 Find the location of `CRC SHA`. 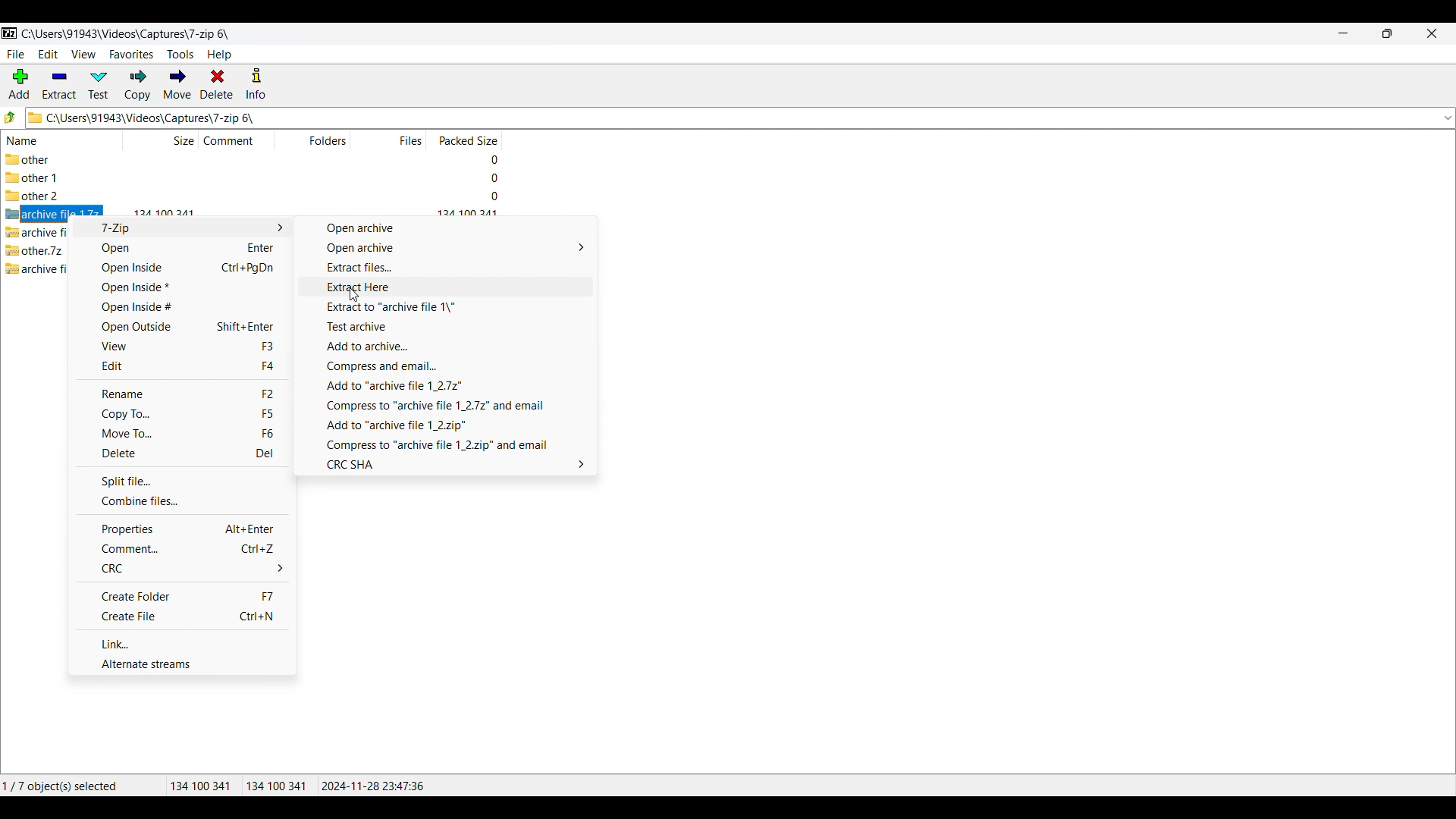

CRC SHA is located at coordinates (450, 464).